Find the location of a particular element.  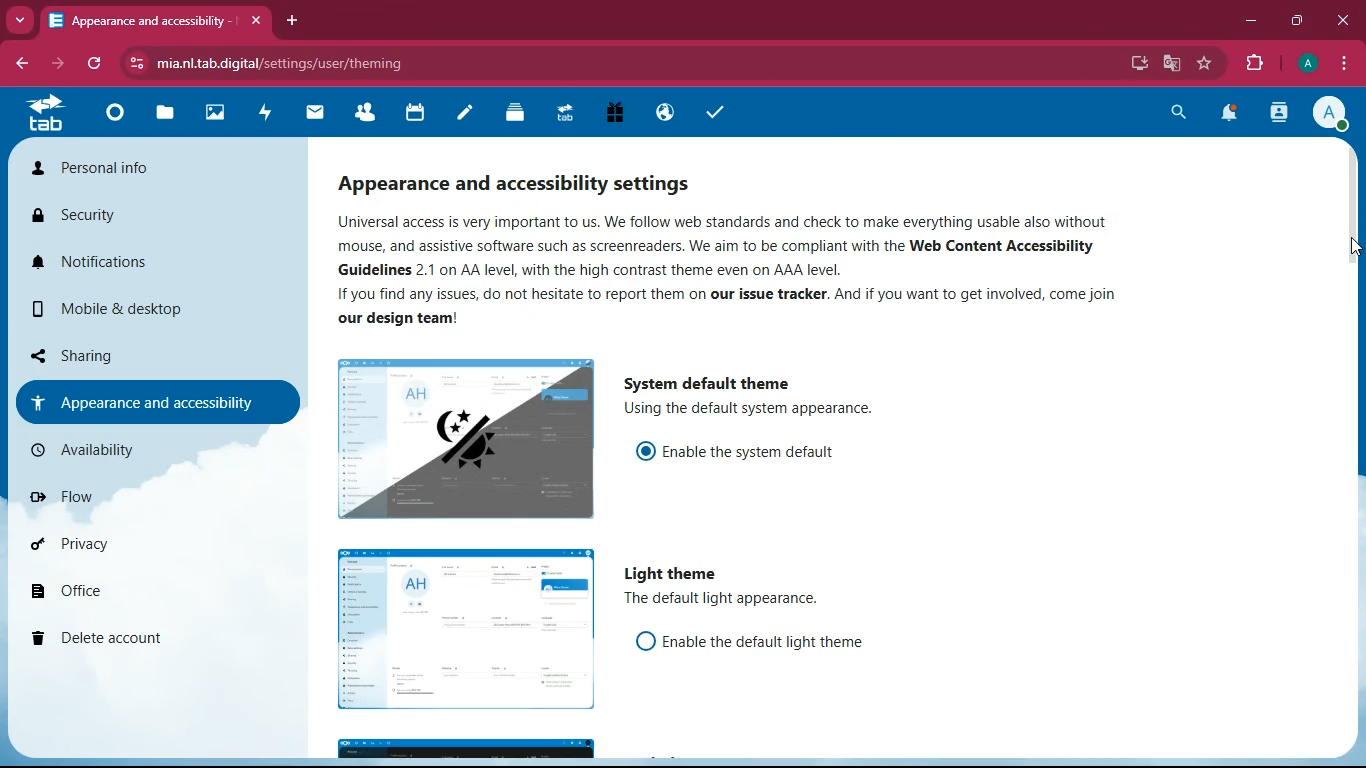

public is located at coordinates (662, 112).